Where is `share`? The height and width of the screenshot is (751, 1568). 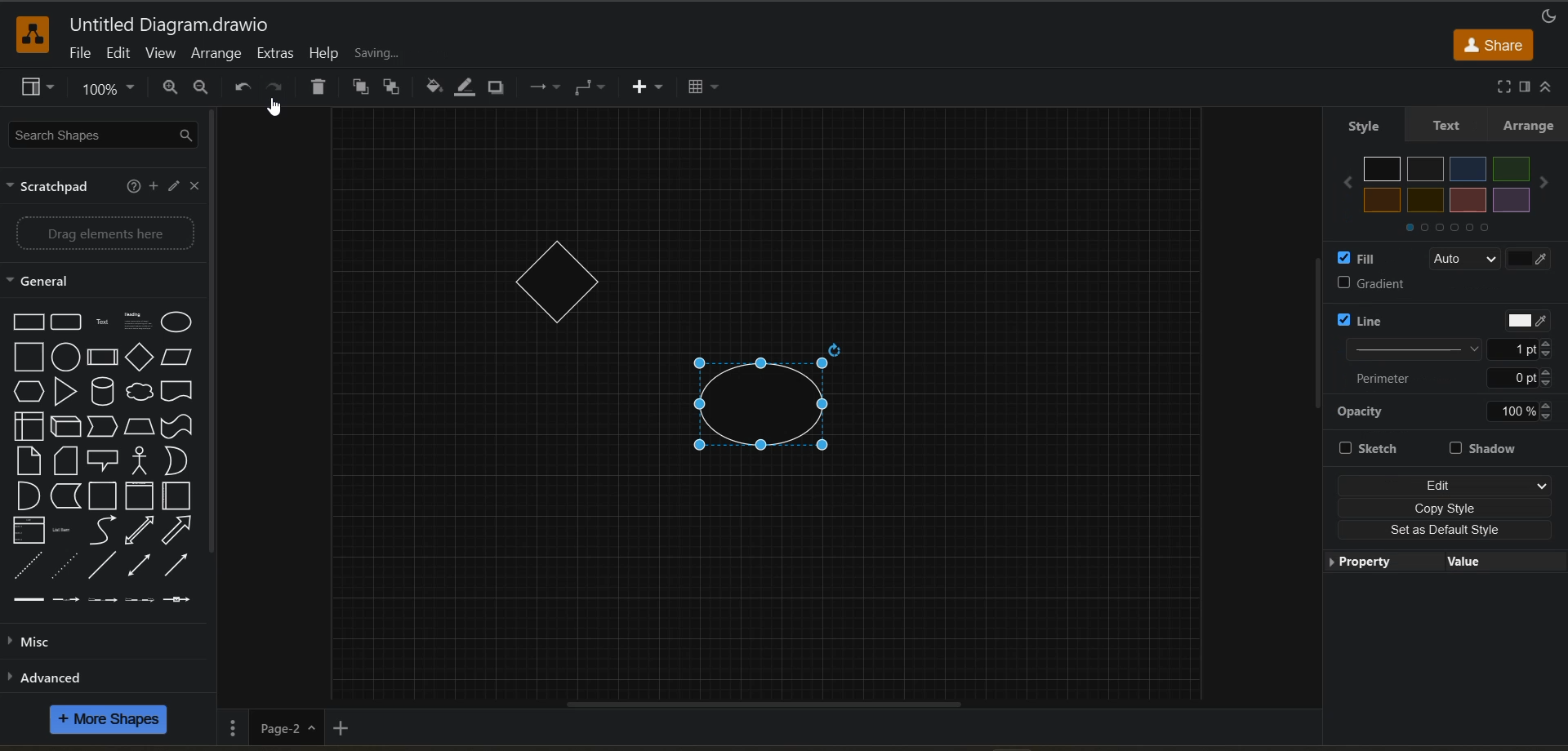
share is located at coordinates (1494, 43).